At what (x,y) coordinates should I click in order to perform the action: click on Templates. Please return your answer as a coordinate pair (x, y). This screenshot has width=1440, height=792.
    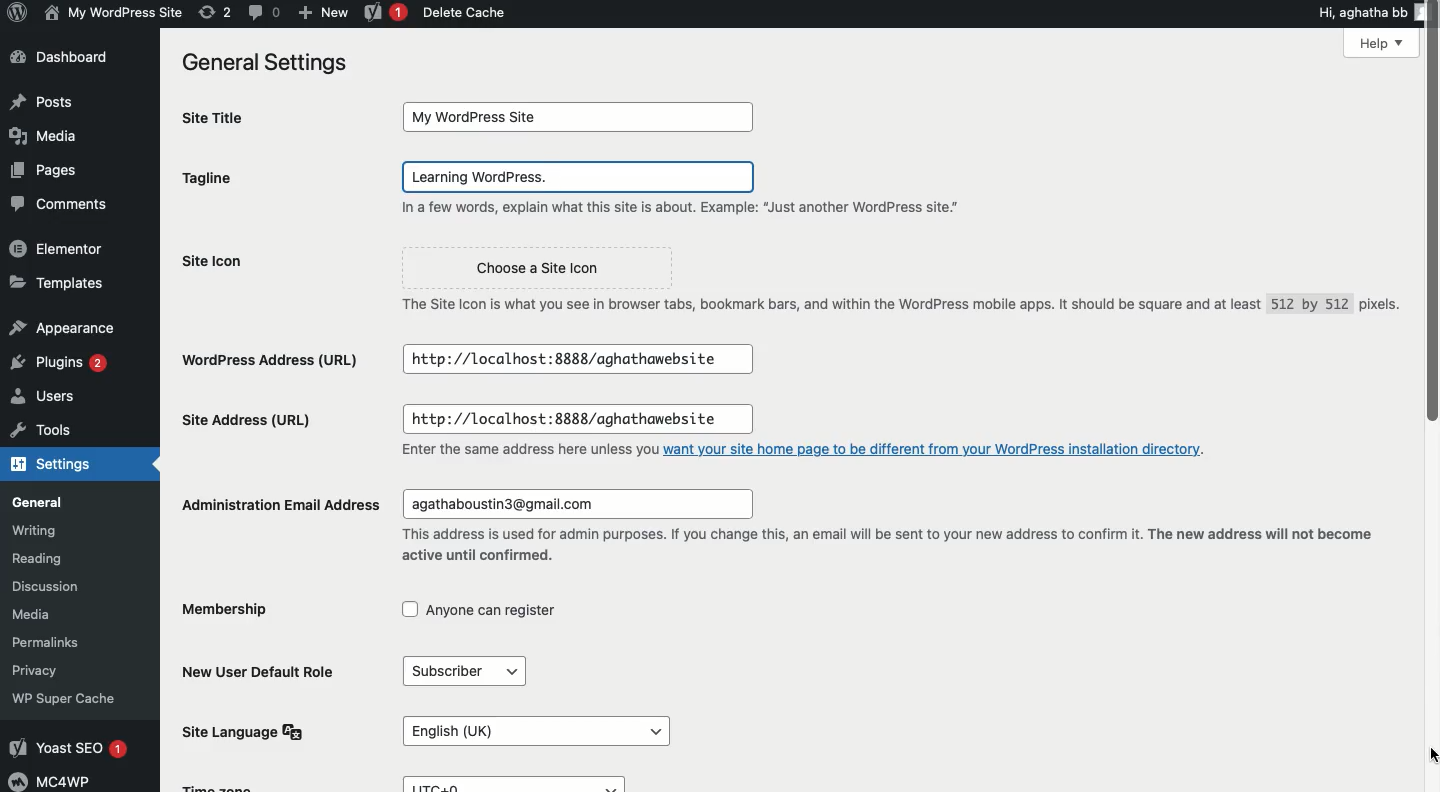
    Looking at the image, I should click on (59, 283).